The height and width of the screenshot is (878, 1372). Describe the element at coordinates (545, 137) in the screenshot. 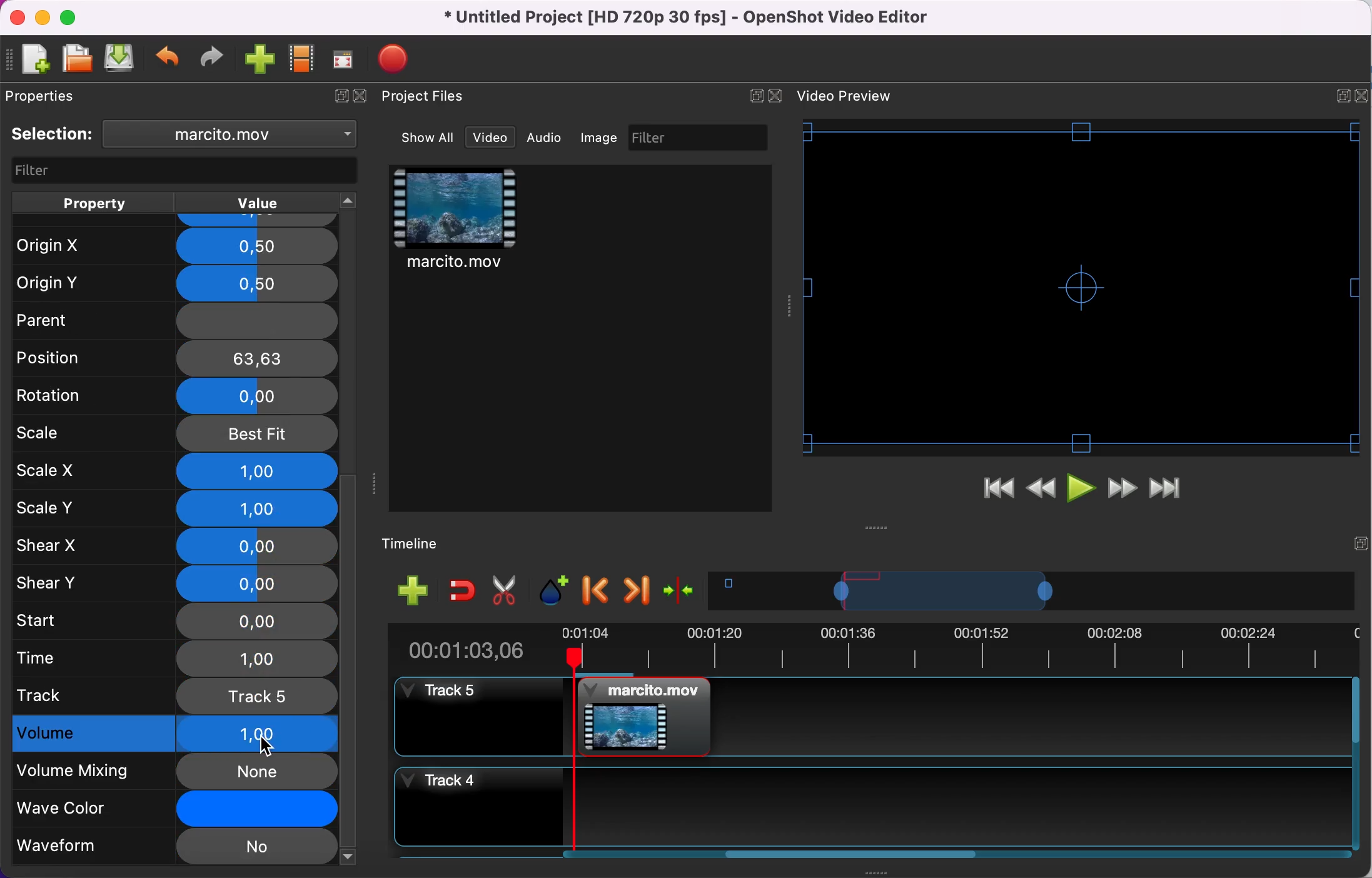

I see `audio` at that location.